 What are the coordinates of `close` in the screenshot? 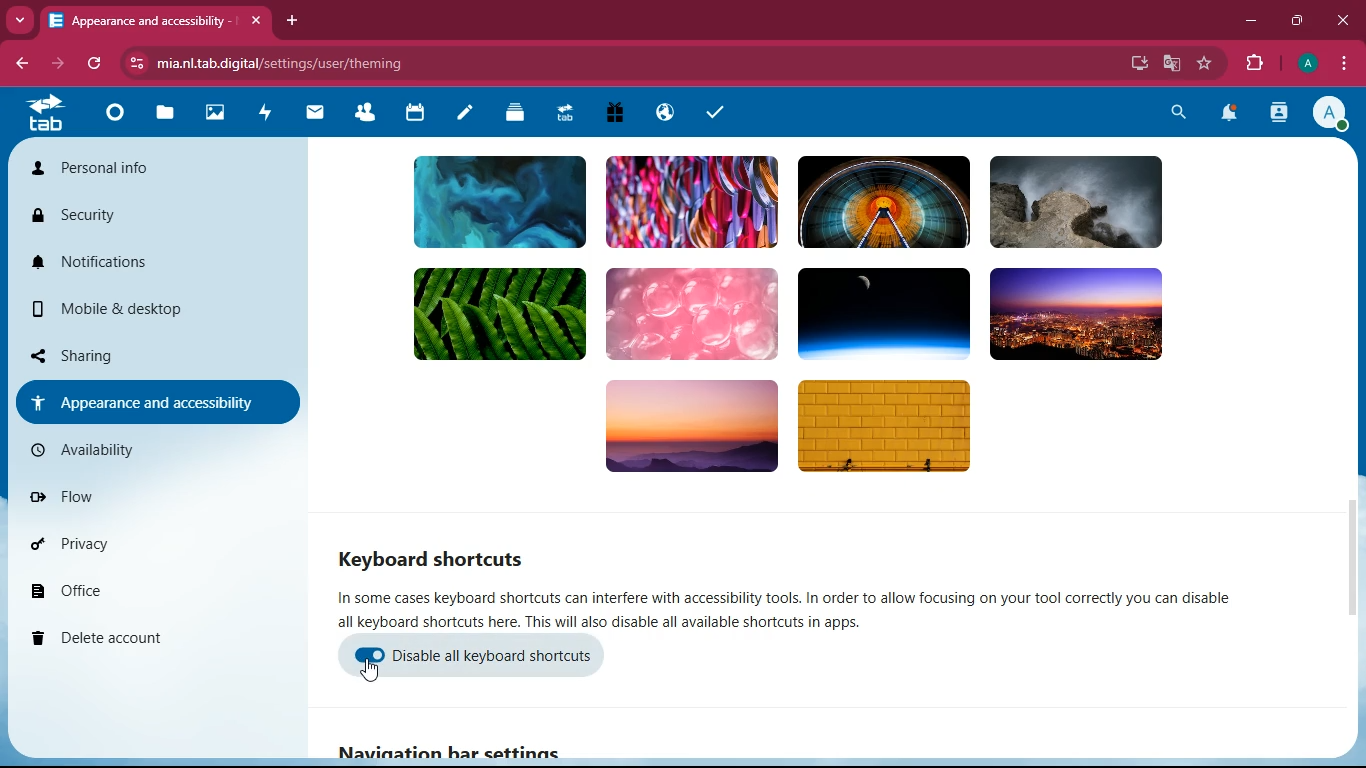 It's located at (1344, 21).